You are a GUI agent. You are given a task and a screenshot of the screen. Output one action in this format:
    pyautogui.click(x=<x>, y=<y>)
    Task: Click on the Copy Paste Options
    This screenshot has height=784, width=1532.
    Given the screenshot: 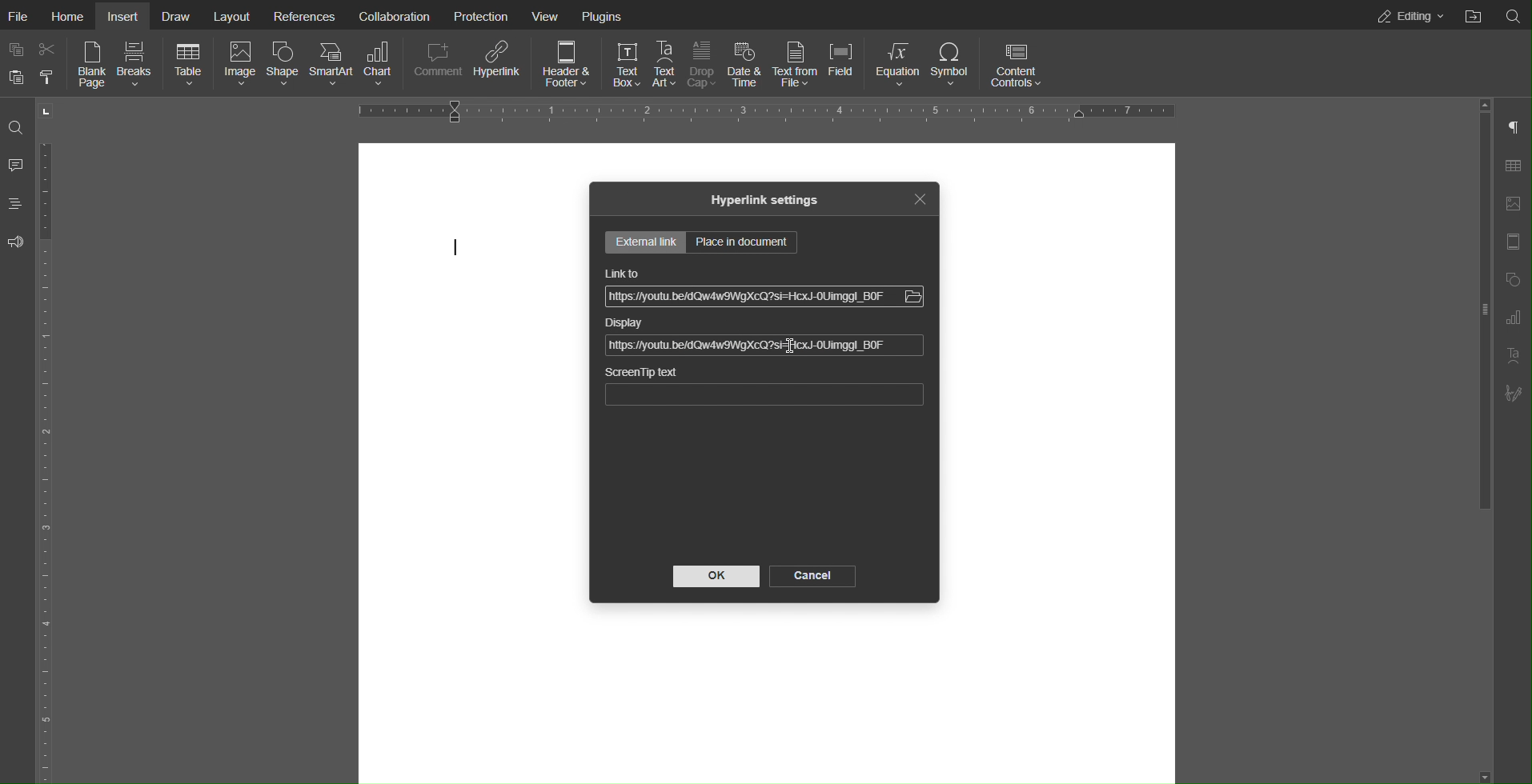 What is the action you would take?
    pyautogui.click(x=30, y=64)
    